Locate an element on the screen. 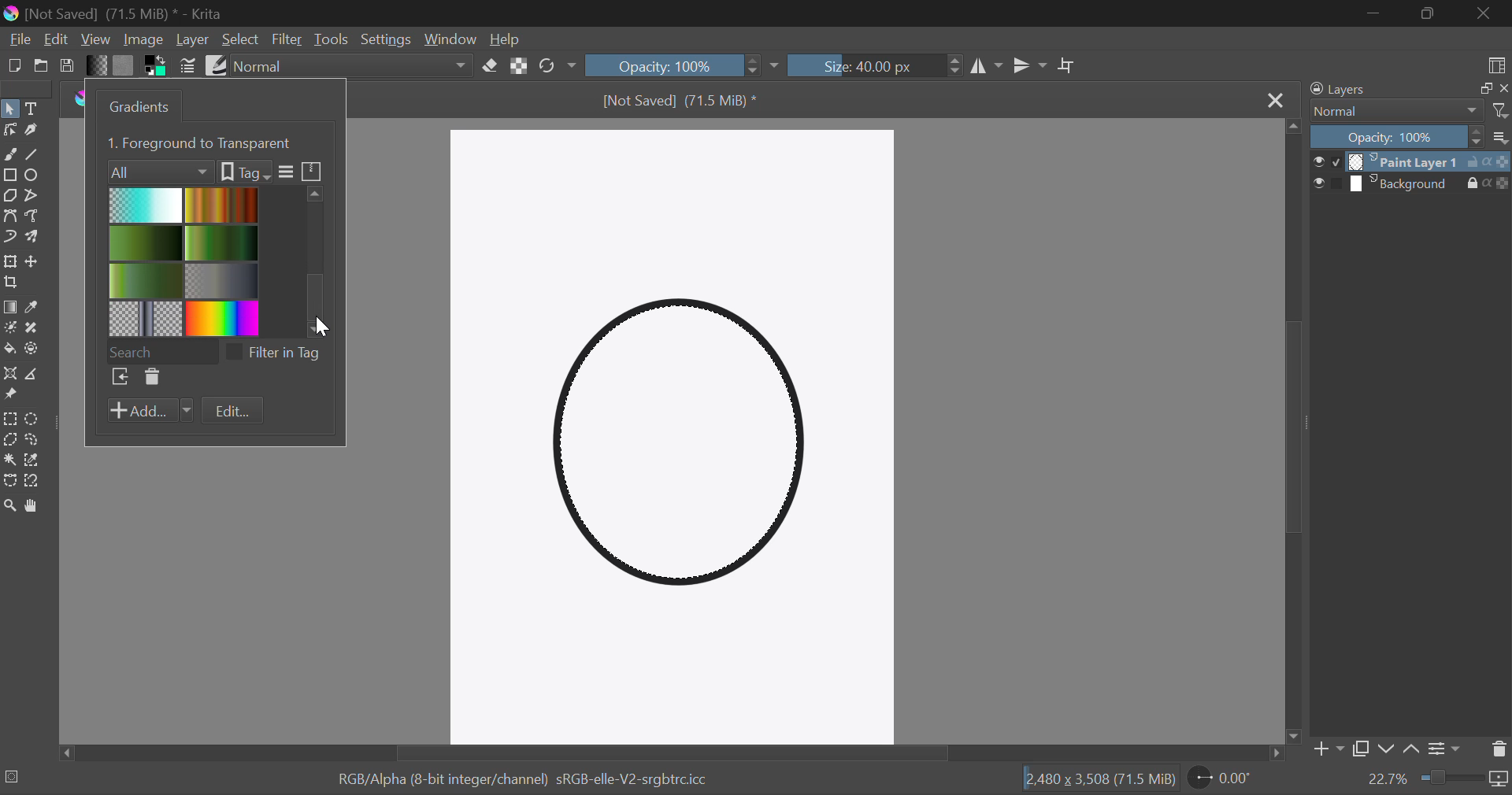  Text is located at coordinates (35, 109).